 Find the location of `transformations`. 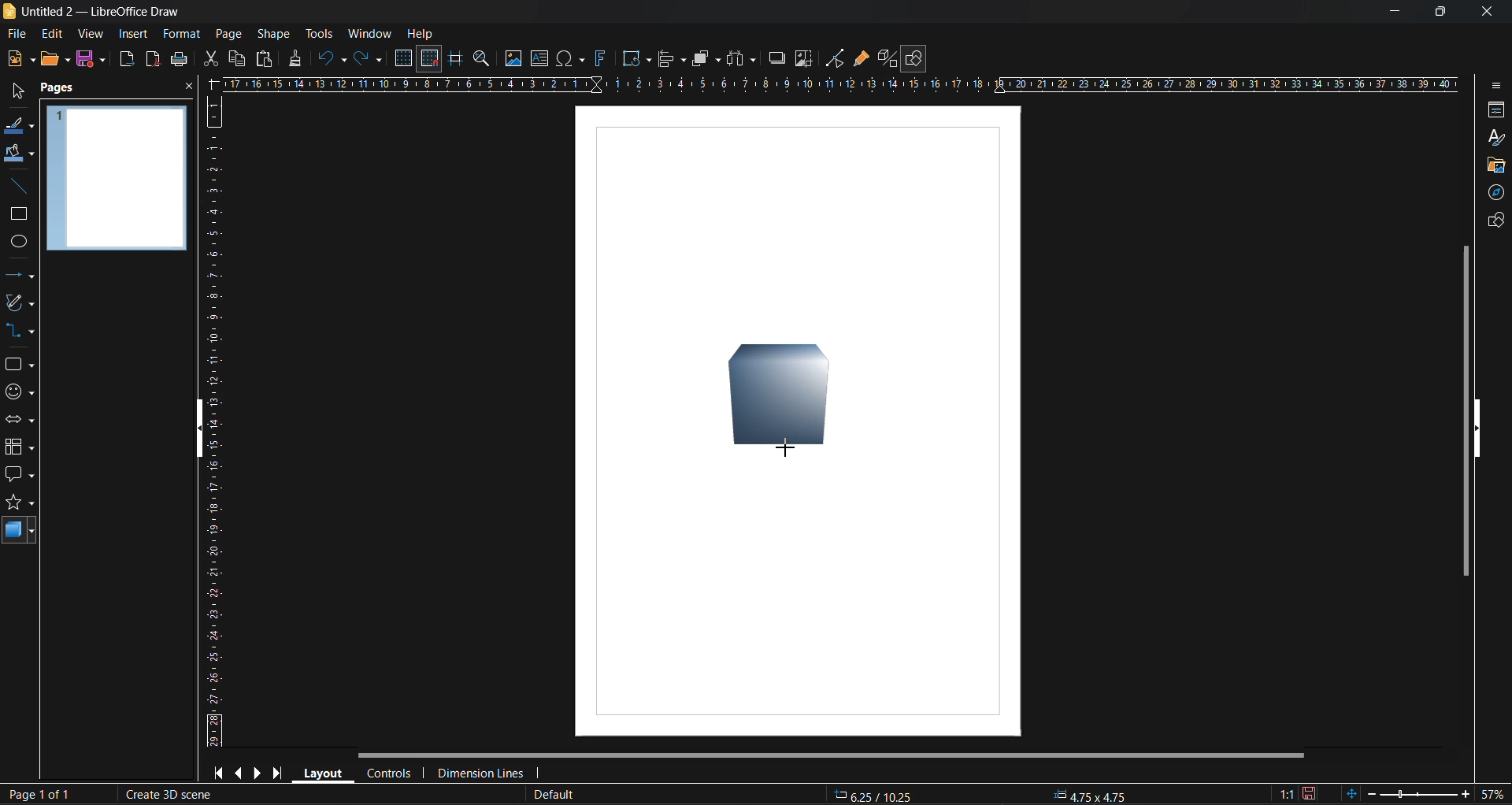

transformations is located at coordinates (638, 59).